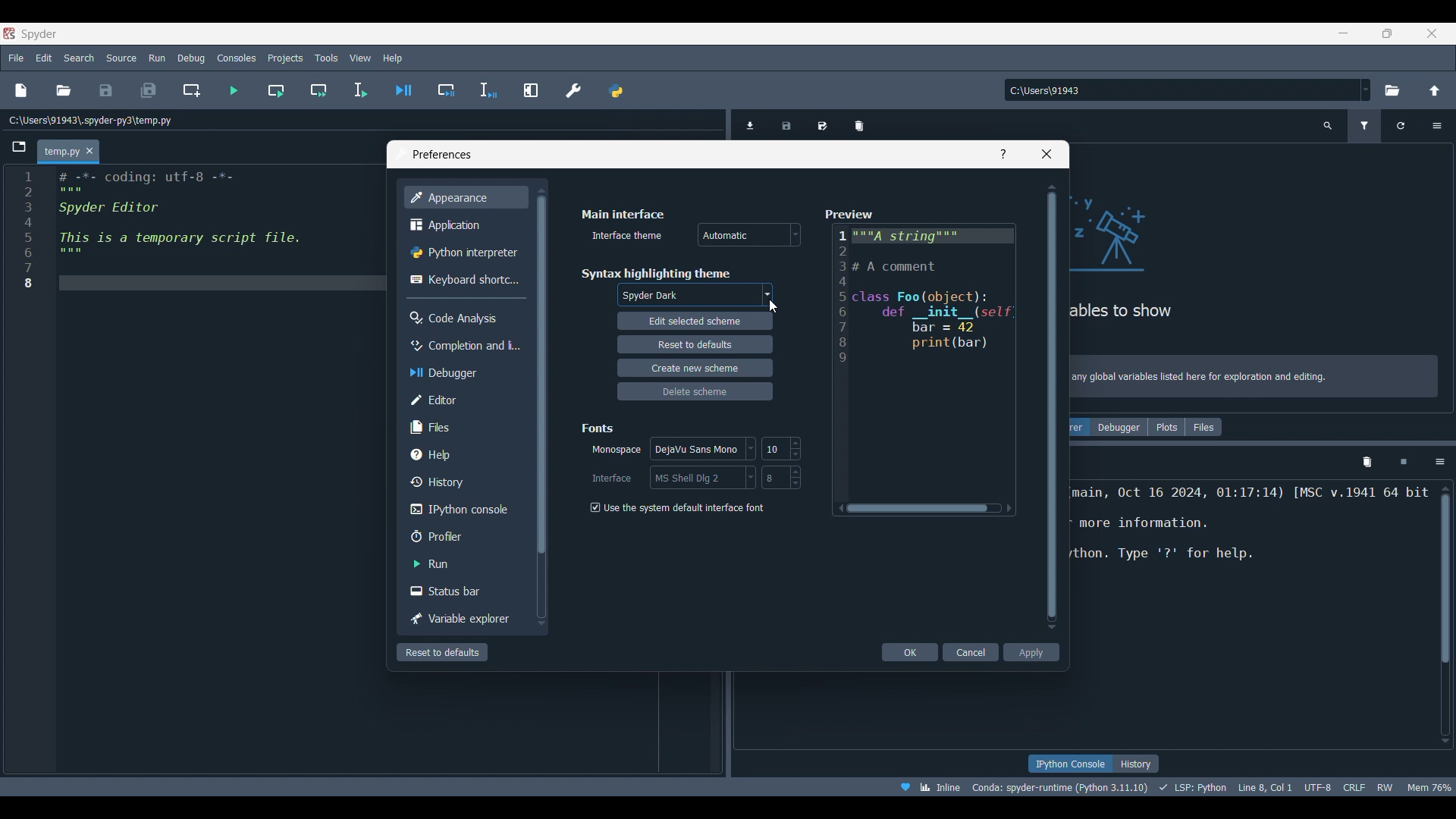 The image size is (1456, 819). Describe the element at coordinates (1445, 614) in the screenshot. I see `Vertical slide bar` at that location.